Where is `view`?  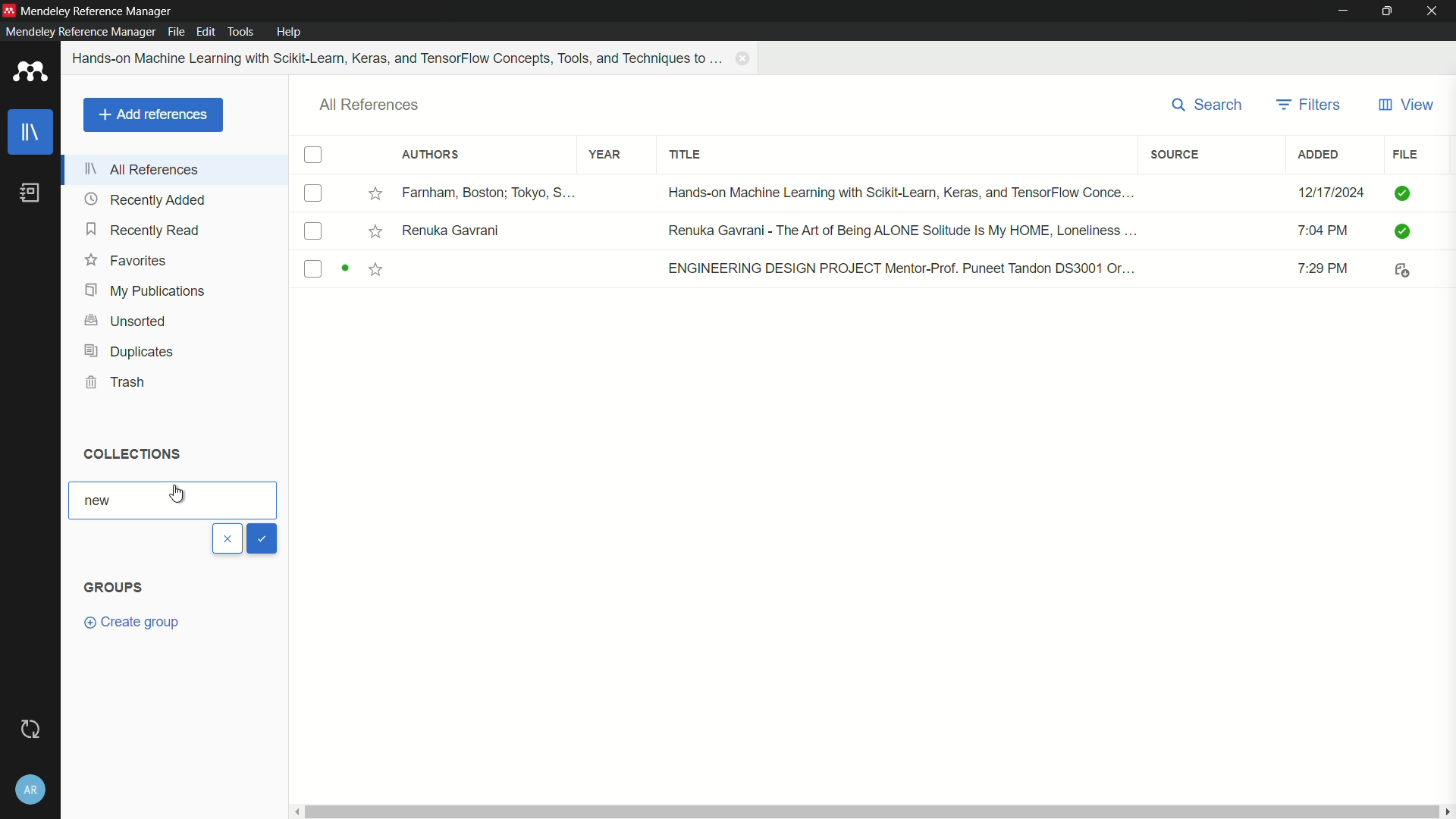 view is located at coordinates (1405, 105).